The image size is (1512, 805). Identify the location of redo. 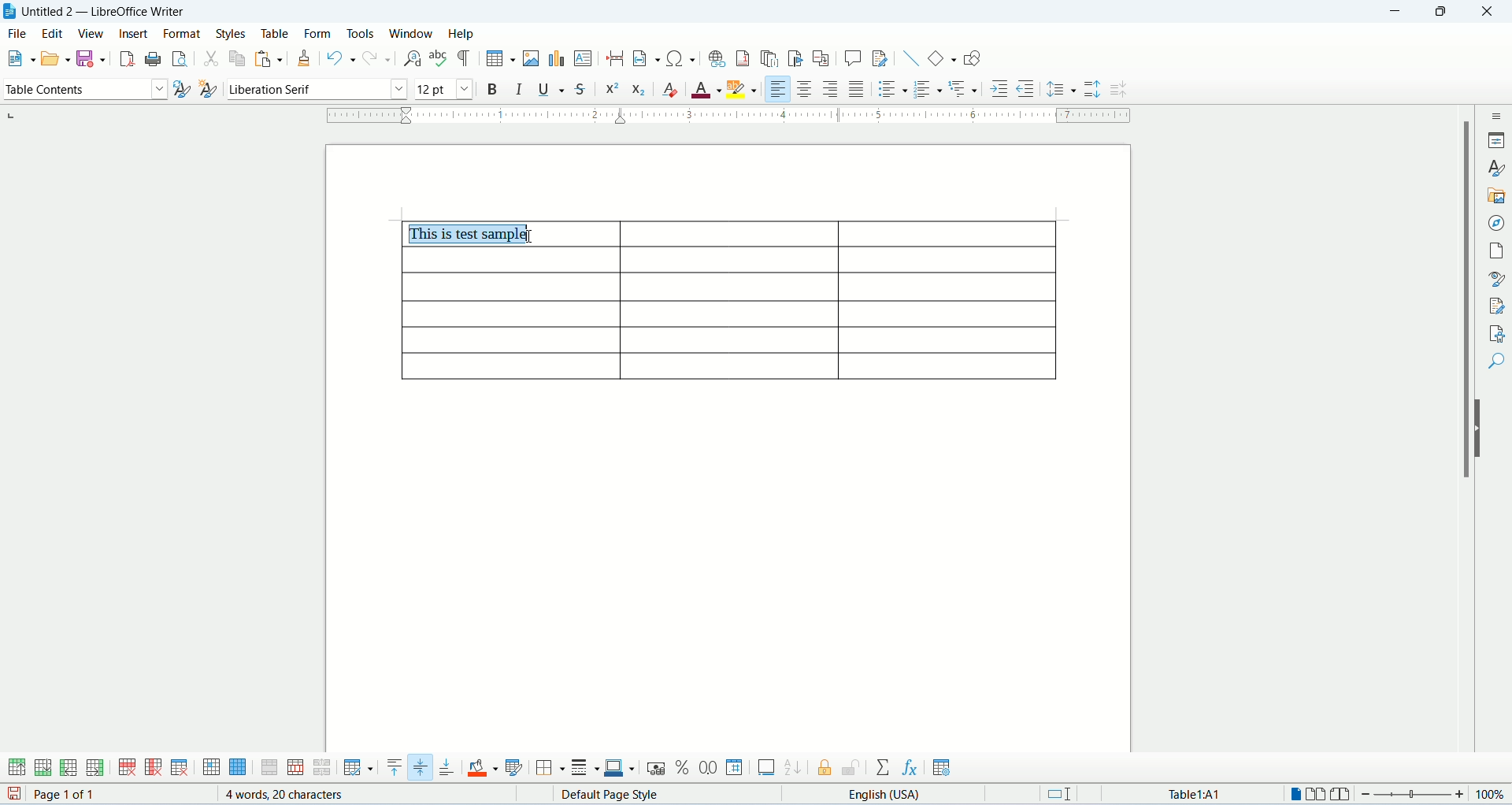
(378, 57).